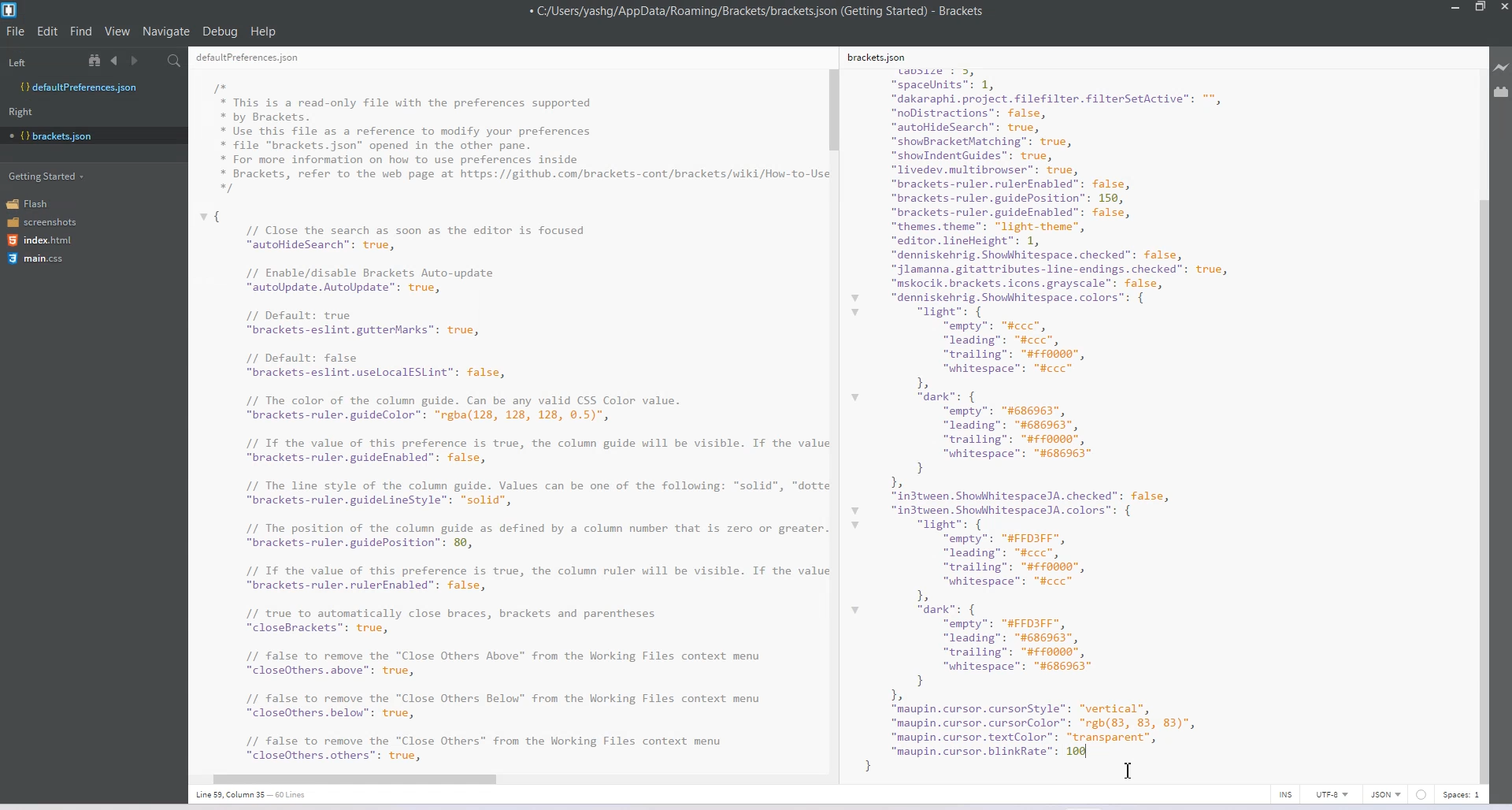 This screenshot has height=810, width=1512. Describe the element at coordinates (117, 60) in the screenshot. I see `Navigate Backward` at that location.